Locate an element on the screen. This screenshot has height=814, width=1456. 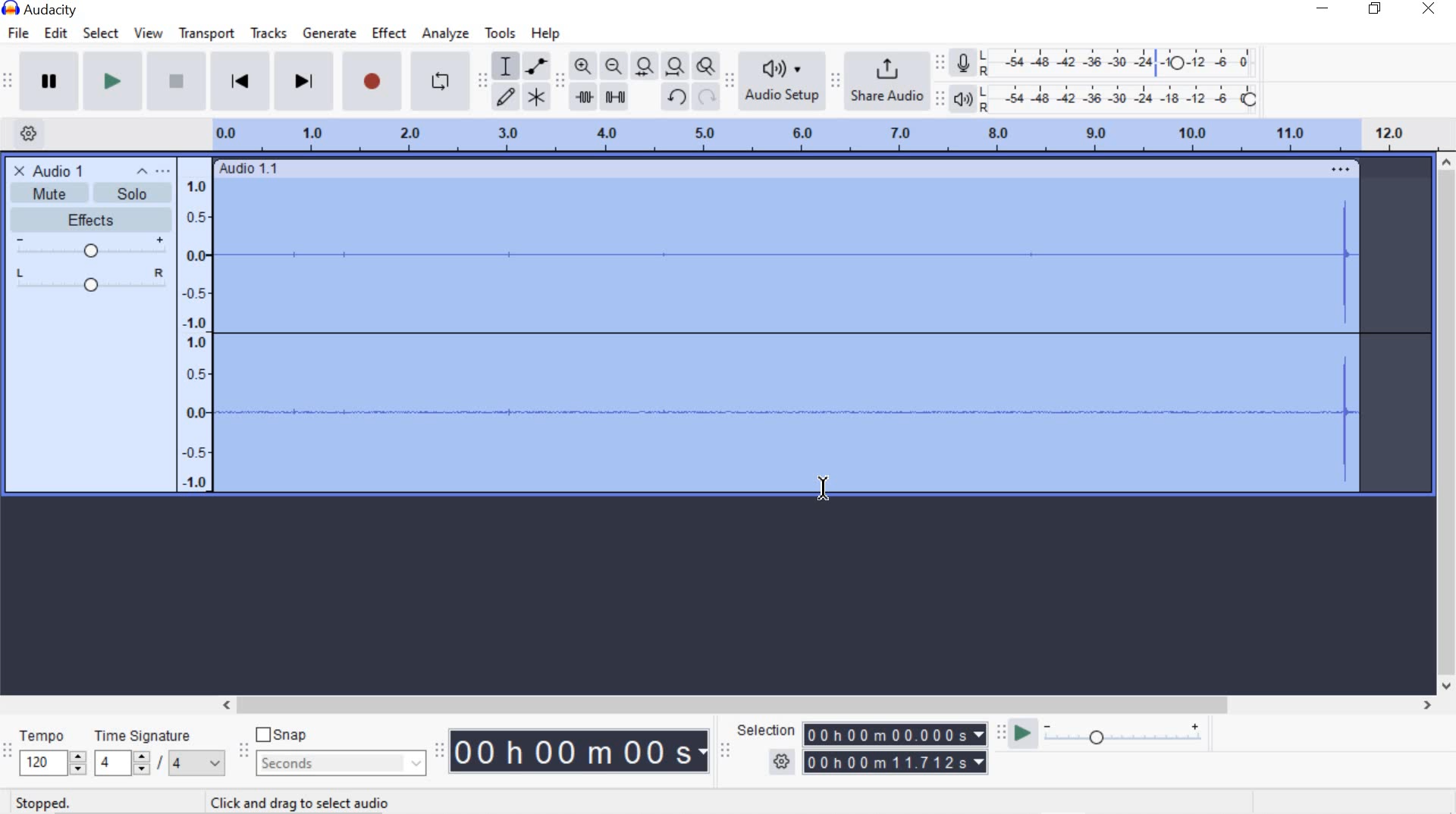
mute is located at coordinates (49, 193).